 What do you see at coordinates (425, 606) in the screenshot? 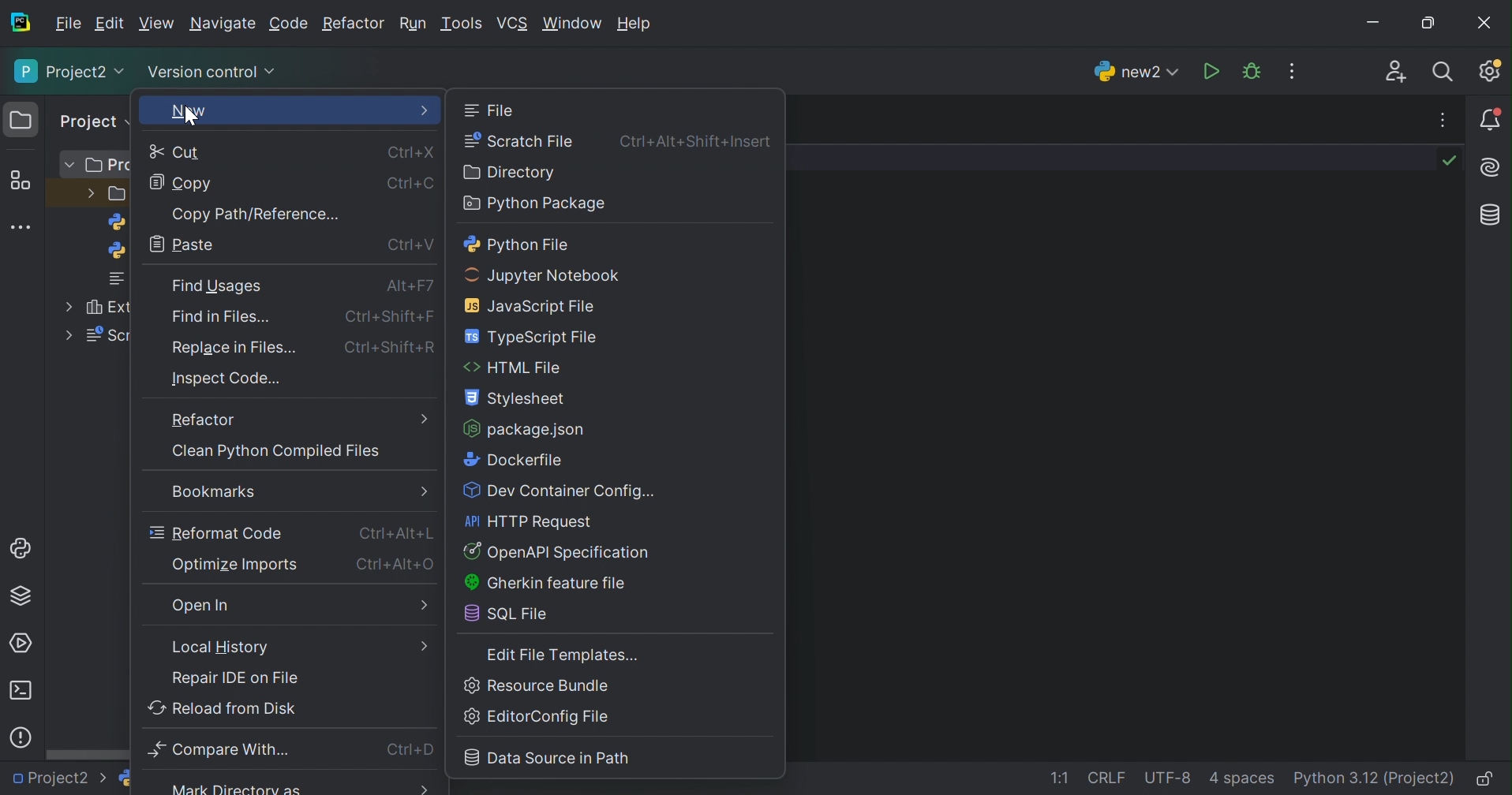
I see `More` at bounding box center [425, 606].